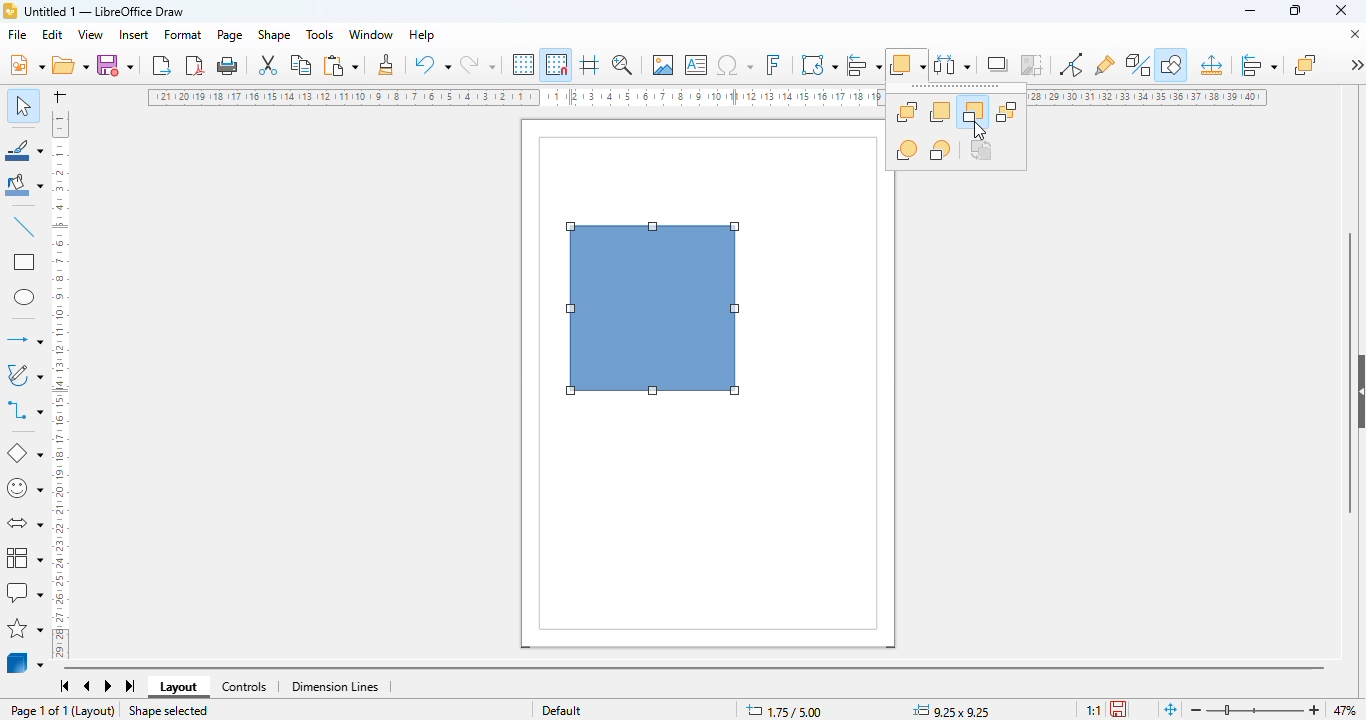 This screenshot has width=1366, height=720. What do you see at coordinates (1093, 709) in the screenshot?
I see `scaling factor of the document` at bounding box center [1093, 709].